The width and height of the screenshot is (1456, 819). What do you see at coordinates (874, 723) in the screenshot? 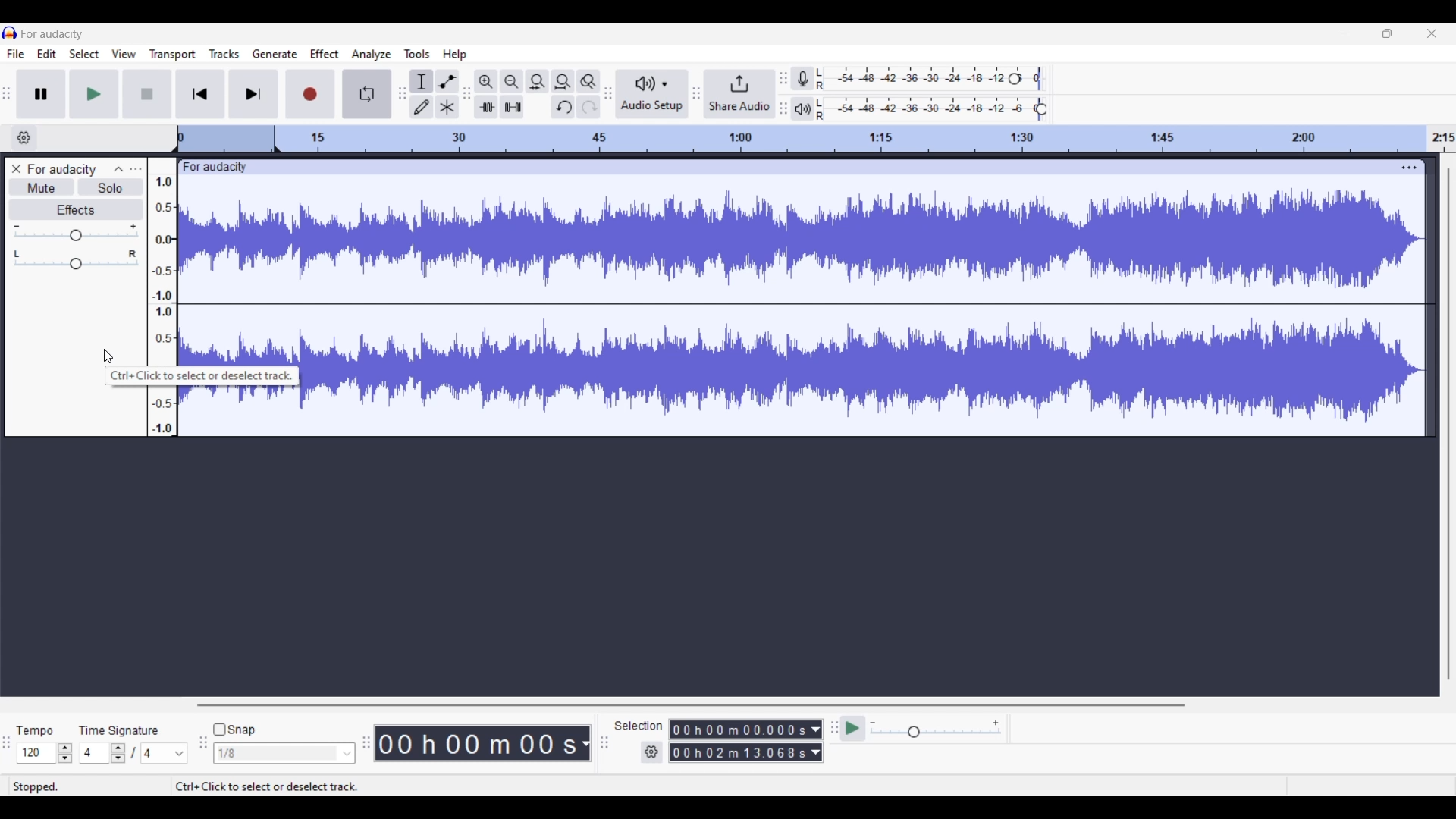
I see `Min. playback speed` at bounding box center [874, 723].